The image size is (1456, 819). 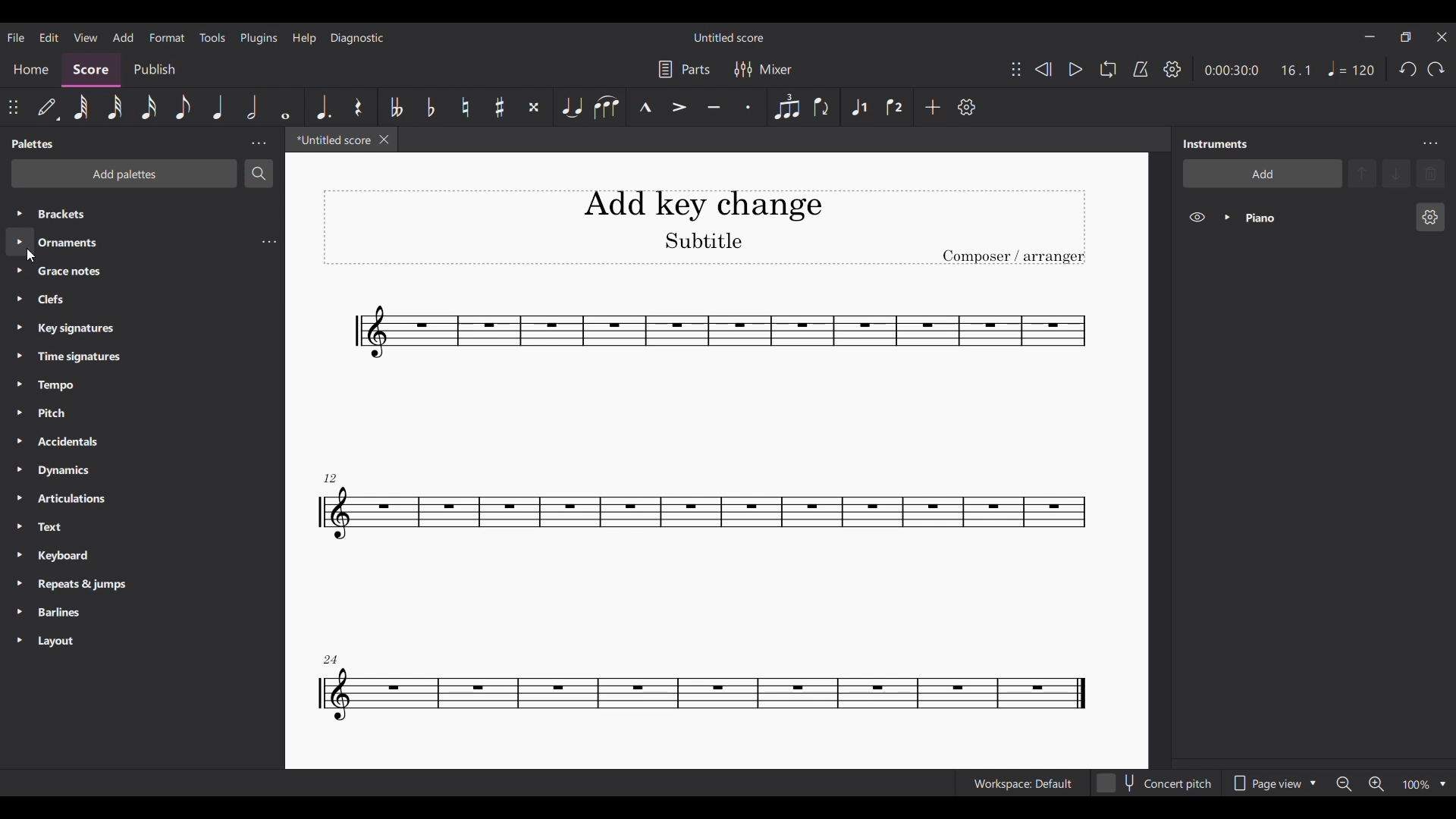 What do you see at coordinates (23, 255) in the screenshot?
I see `cursor` at bounding box center [23, 255].